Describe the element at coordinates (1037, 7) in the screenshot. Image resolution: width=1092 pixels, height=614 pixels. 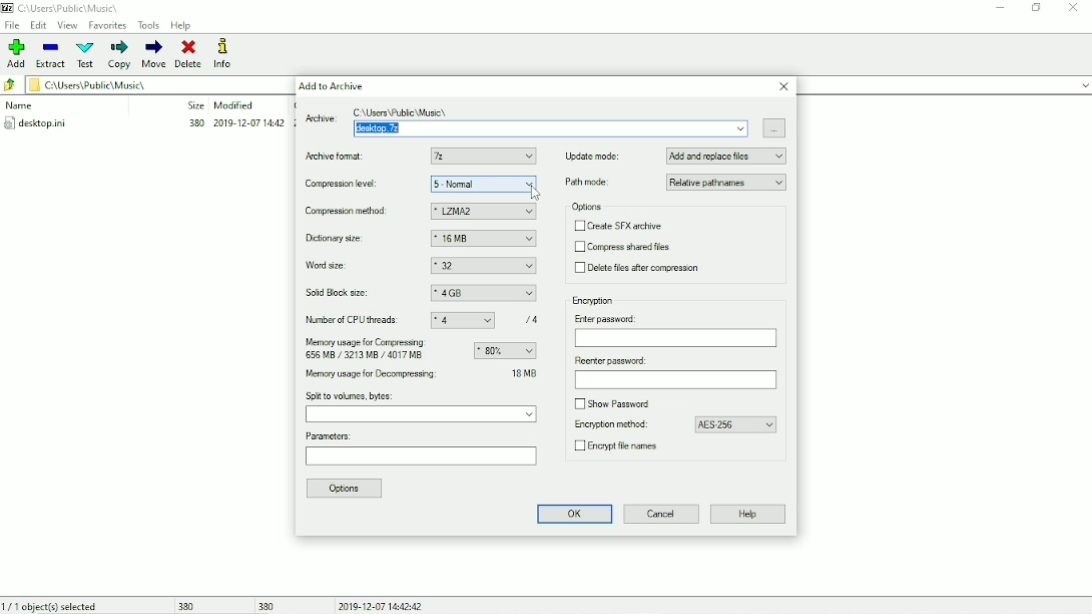
I see `Restore down` at that location.